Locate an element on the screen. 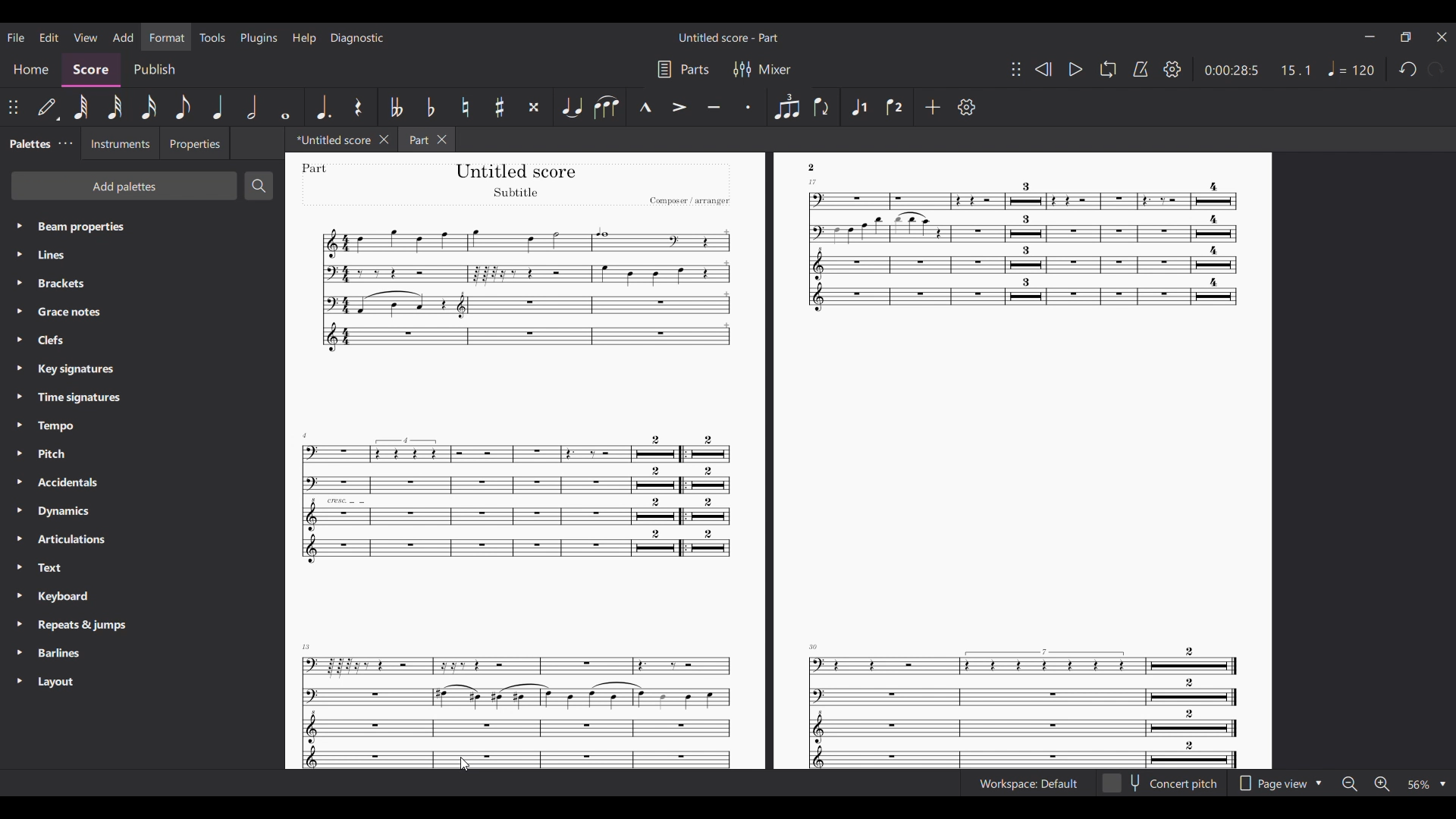  Zoom options is located at coordinates (1427, 784).